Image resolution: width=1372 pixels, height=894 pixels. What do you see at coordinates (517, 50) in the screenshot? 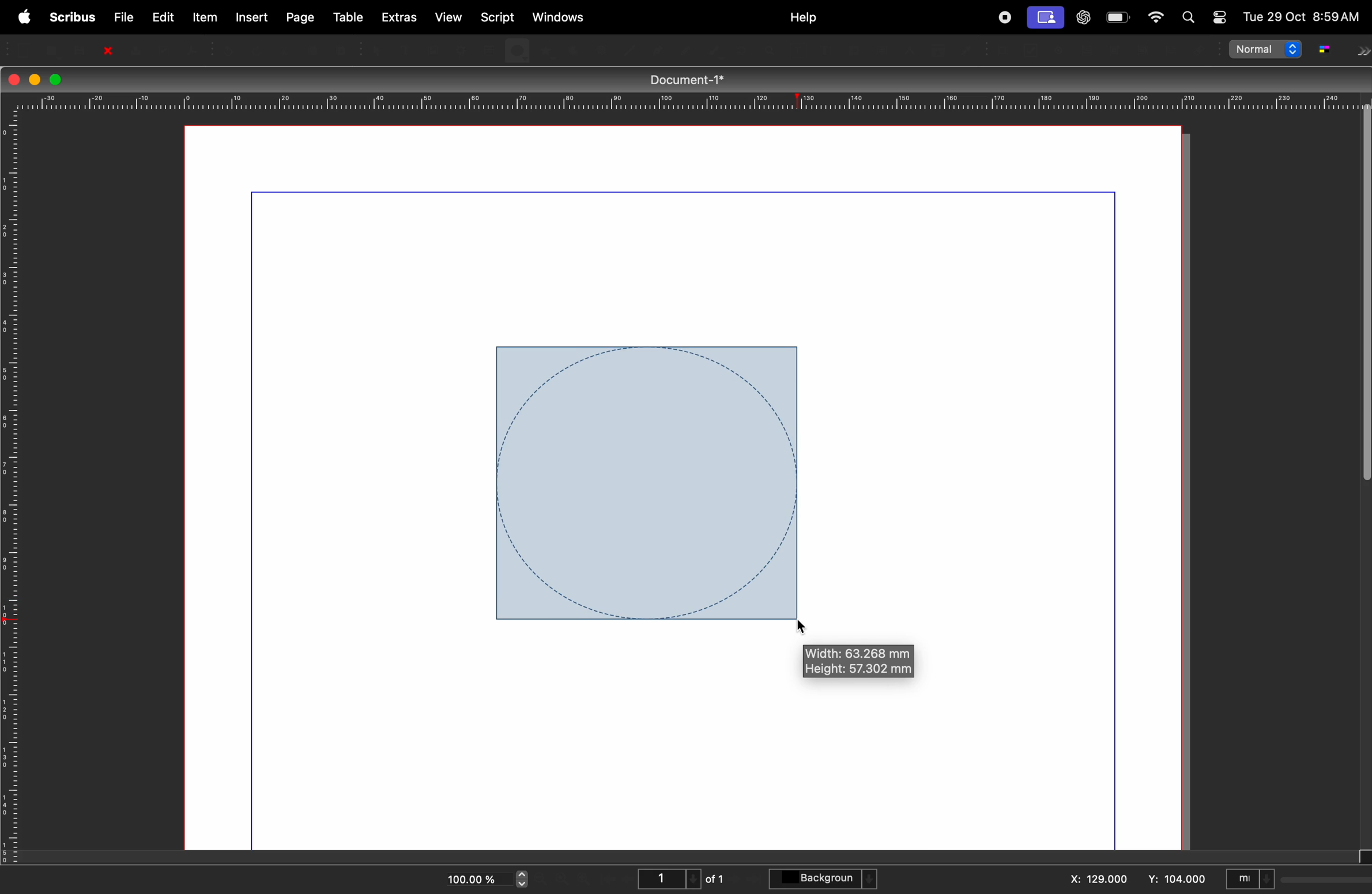
I see `shape` at bounding box center [517, 50].